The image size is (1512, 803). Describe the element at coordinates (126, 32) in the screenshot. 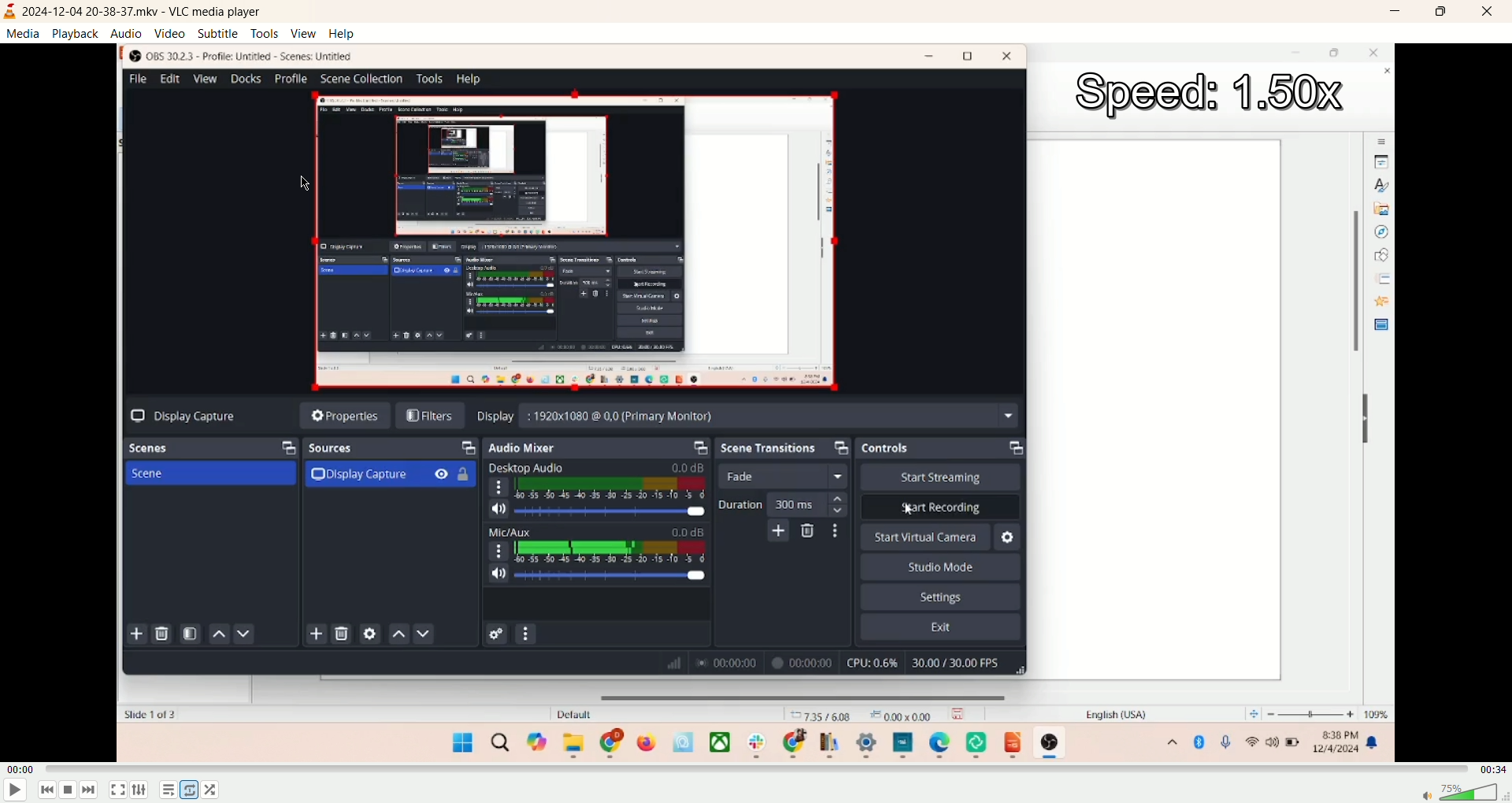

I see `audio` at that location.